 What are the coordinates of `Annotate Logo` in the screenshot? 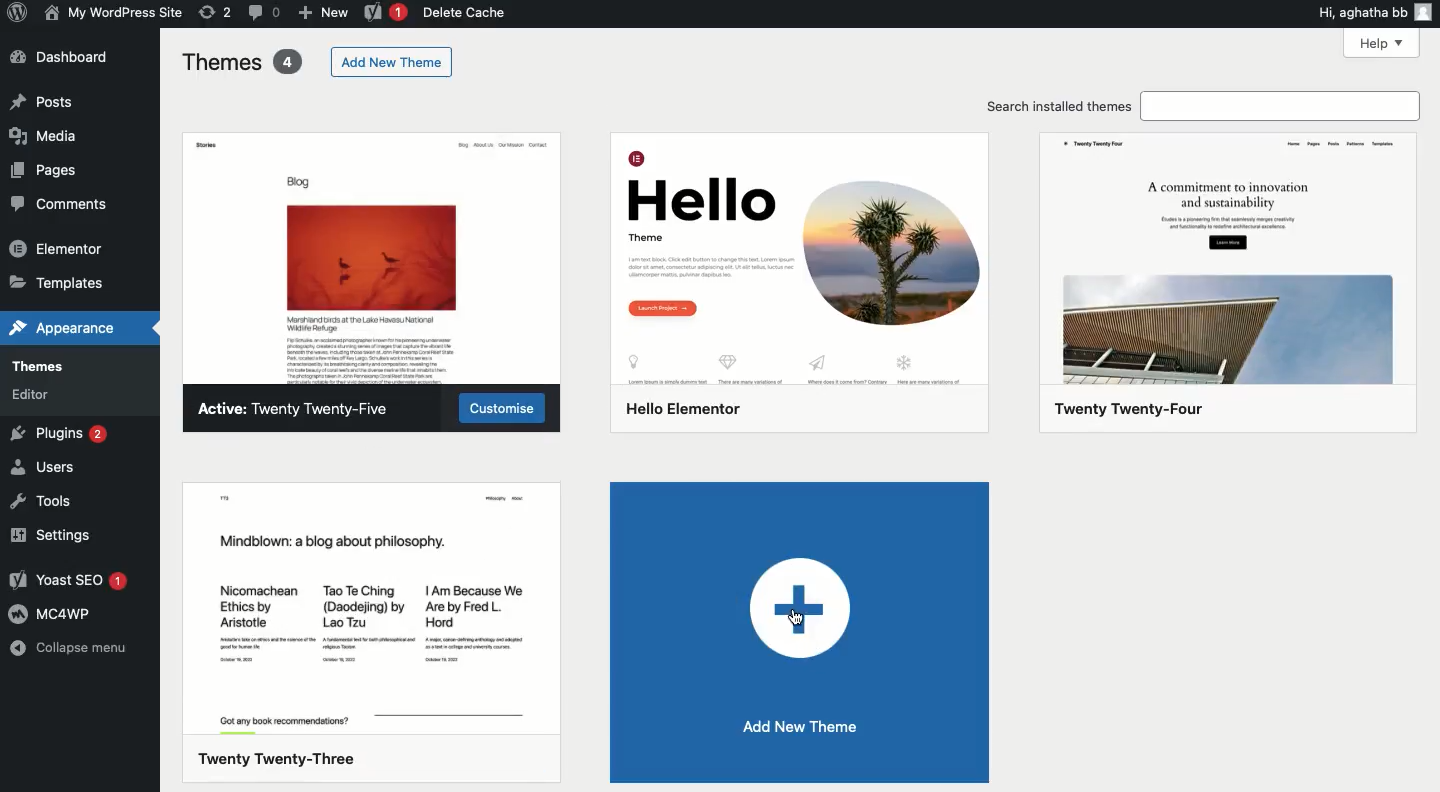 It's located at (17, 14).